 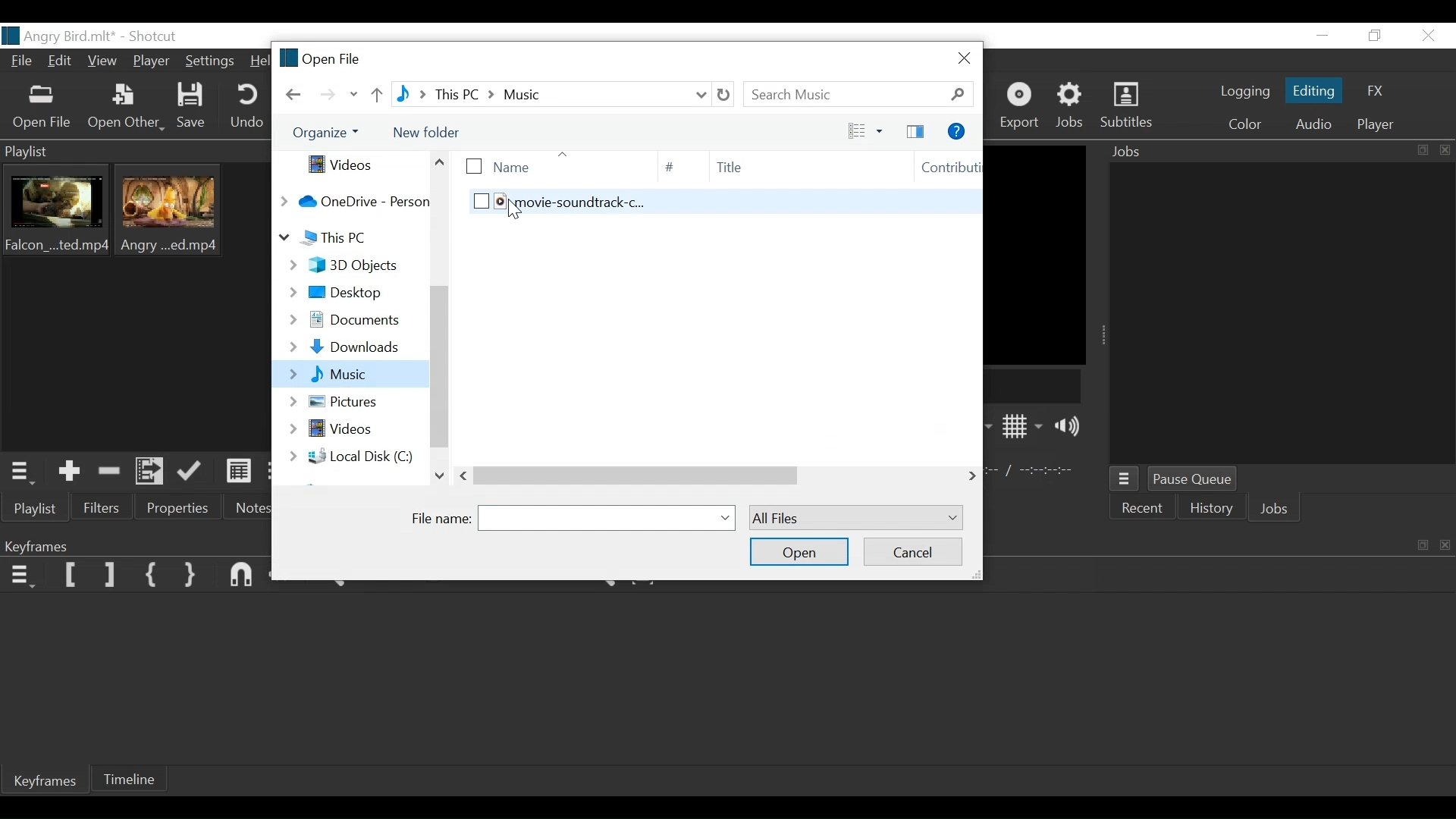 What do you see at coordinates (1418, 544) in the screenshot?
I see `minimize` at bounding box center [1418, 544].